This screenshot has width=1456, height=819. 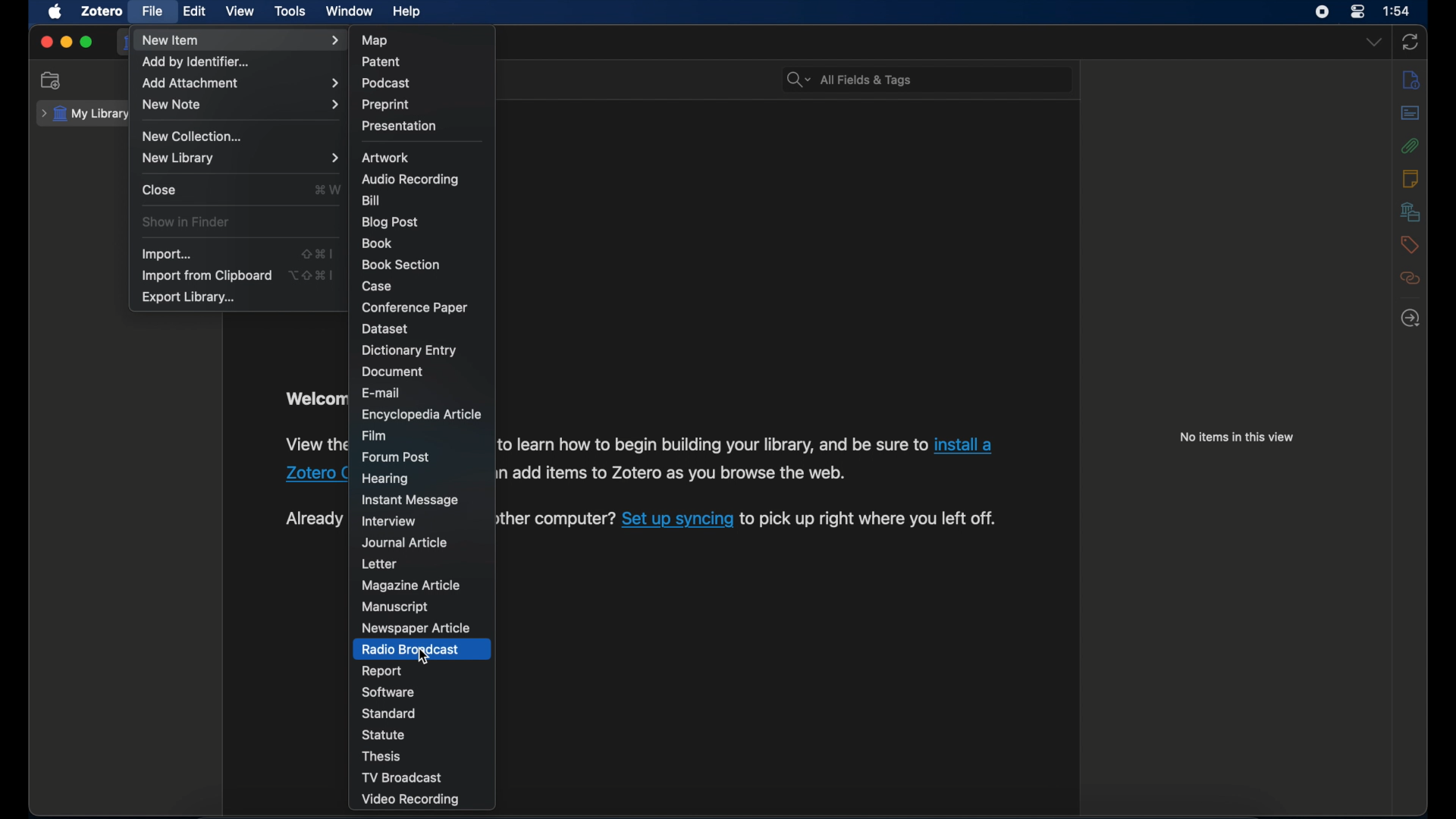 I want to click on abstract, so click(x=1411, y=113).